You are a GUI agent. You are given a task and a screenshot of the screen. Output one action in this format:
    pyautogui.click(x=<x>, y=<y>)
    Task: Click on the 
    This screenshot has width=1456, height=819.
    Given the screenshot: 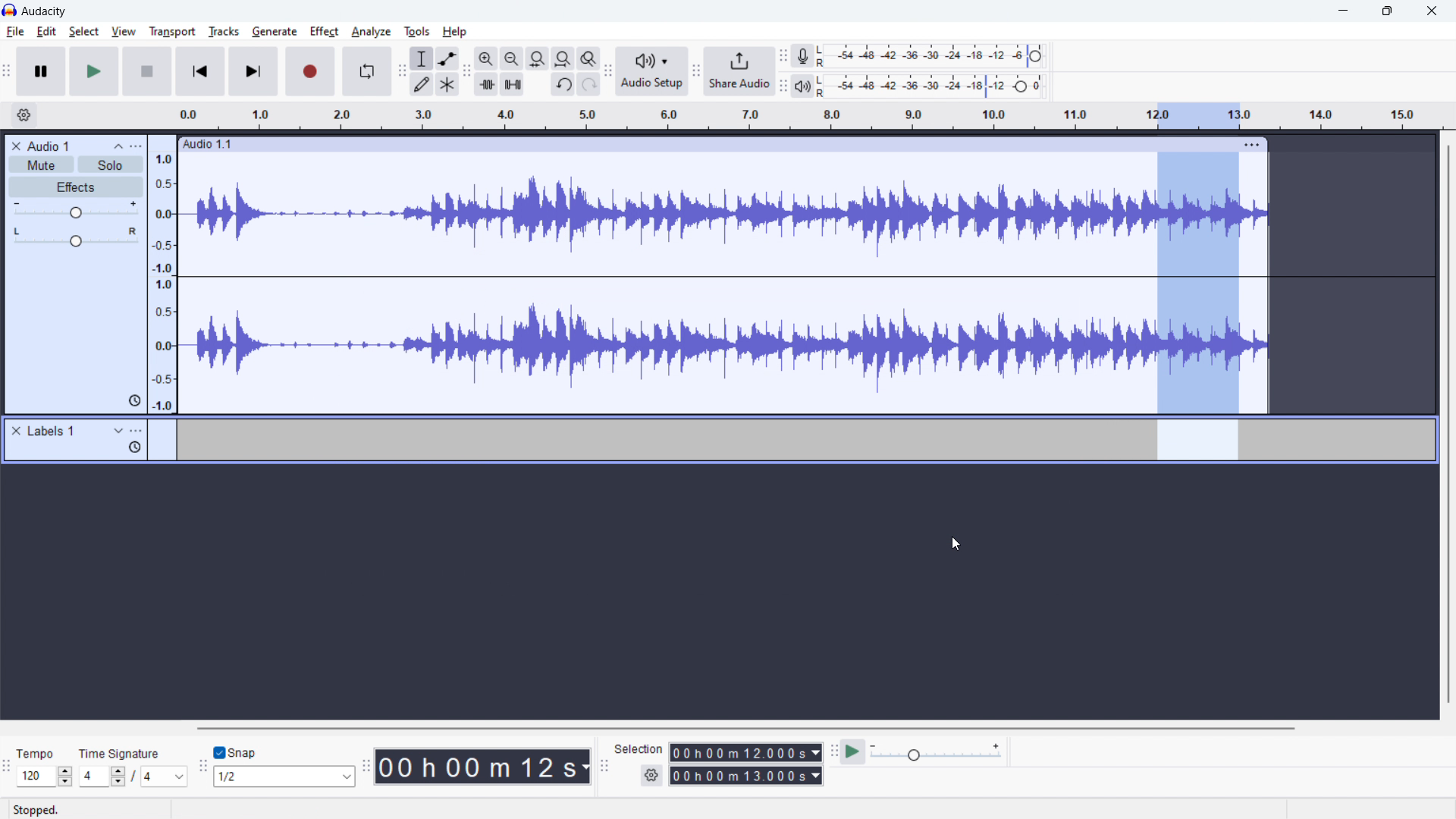 What is the action you would take?
    pyautogui.click(x=823, y=86)
    